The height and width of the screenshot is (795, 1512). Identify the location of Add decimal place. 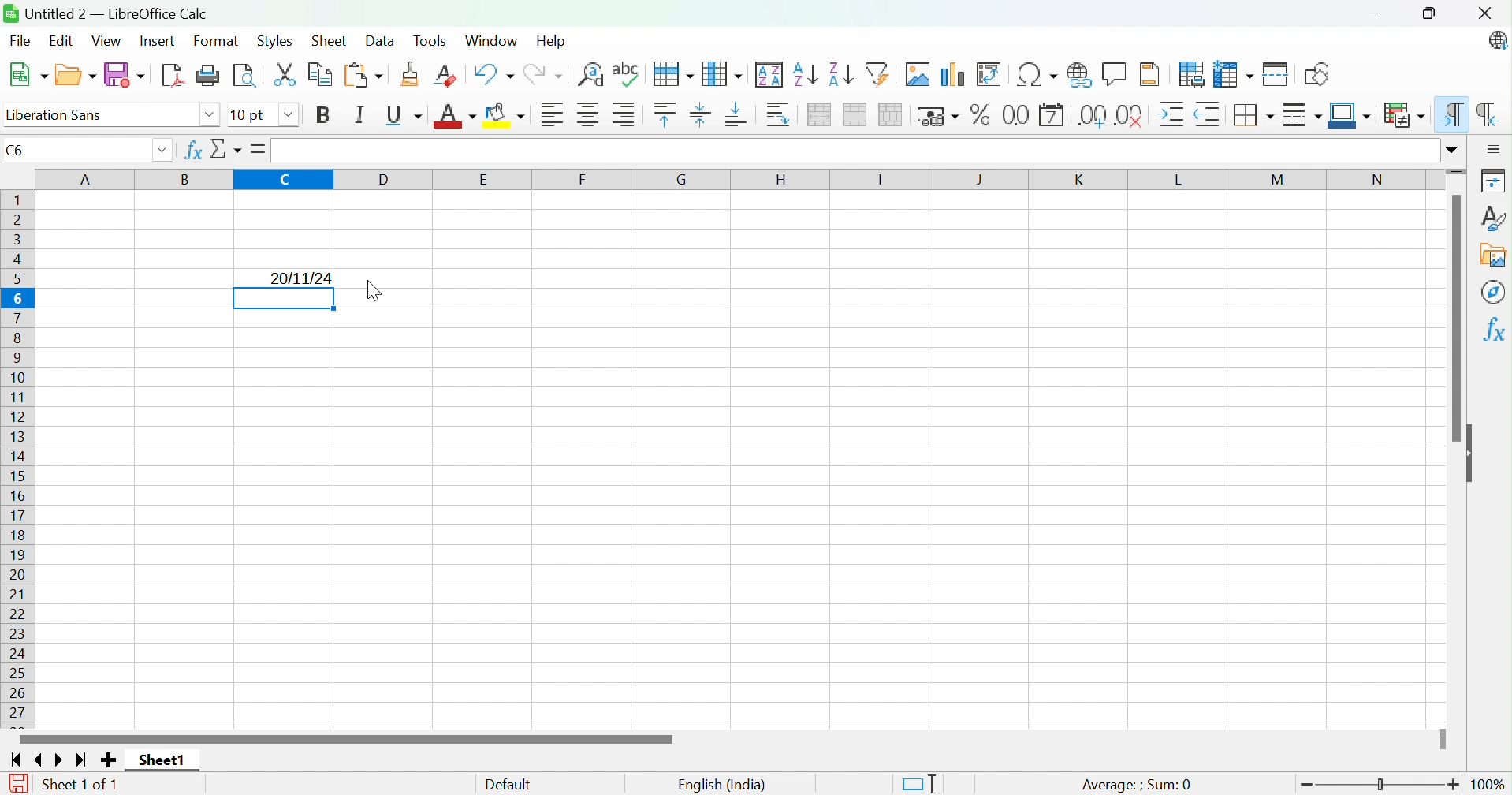
(1092, 117).